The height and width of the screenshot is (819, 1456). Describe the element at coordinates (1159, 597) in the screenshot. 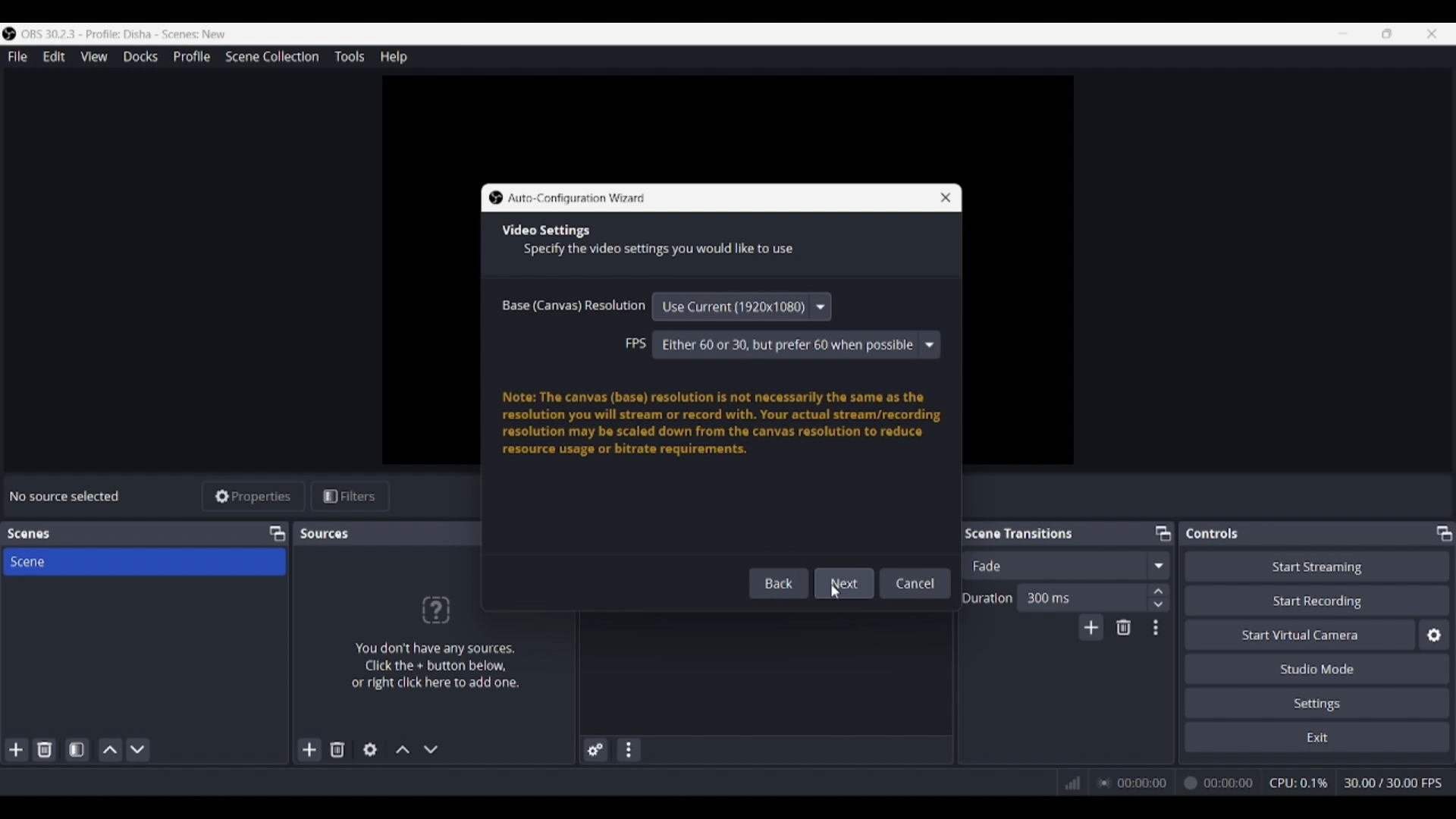

I see `Increase/Decrease duration` at that location.